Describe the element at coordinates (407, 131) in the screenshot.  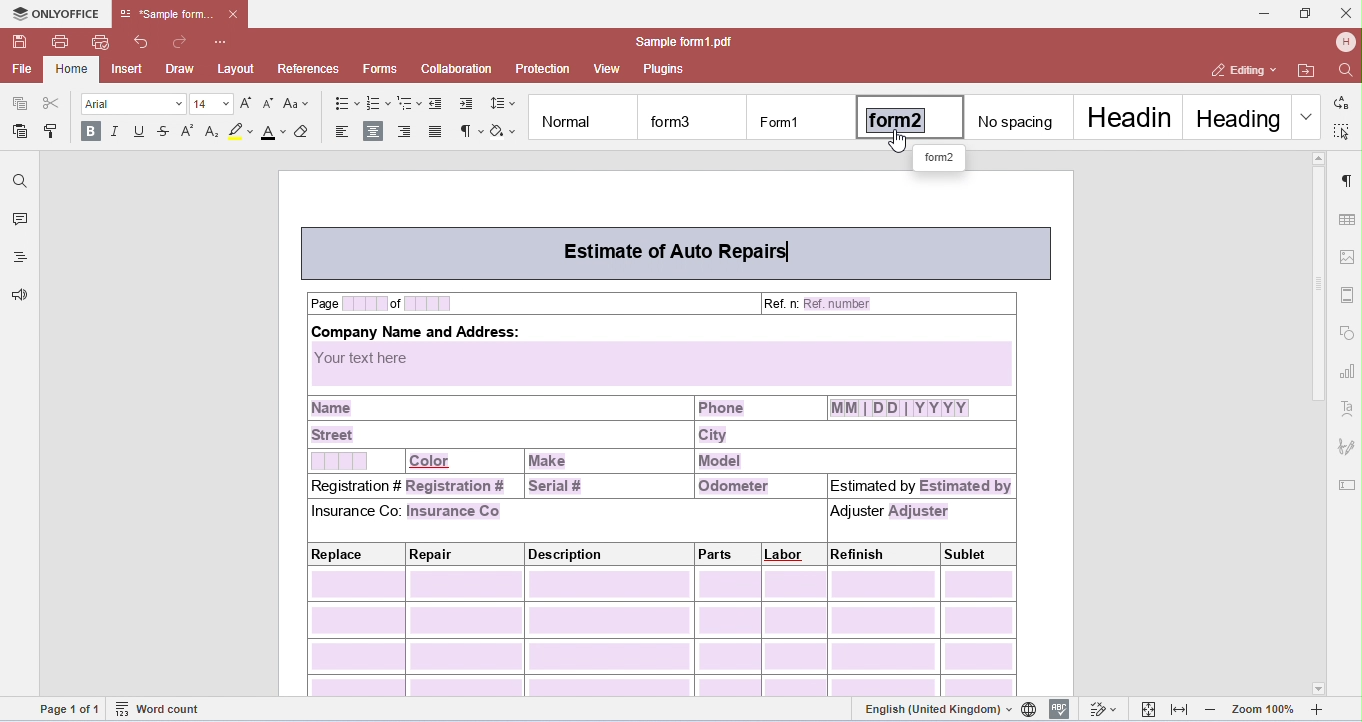
I see `align right` at that location.